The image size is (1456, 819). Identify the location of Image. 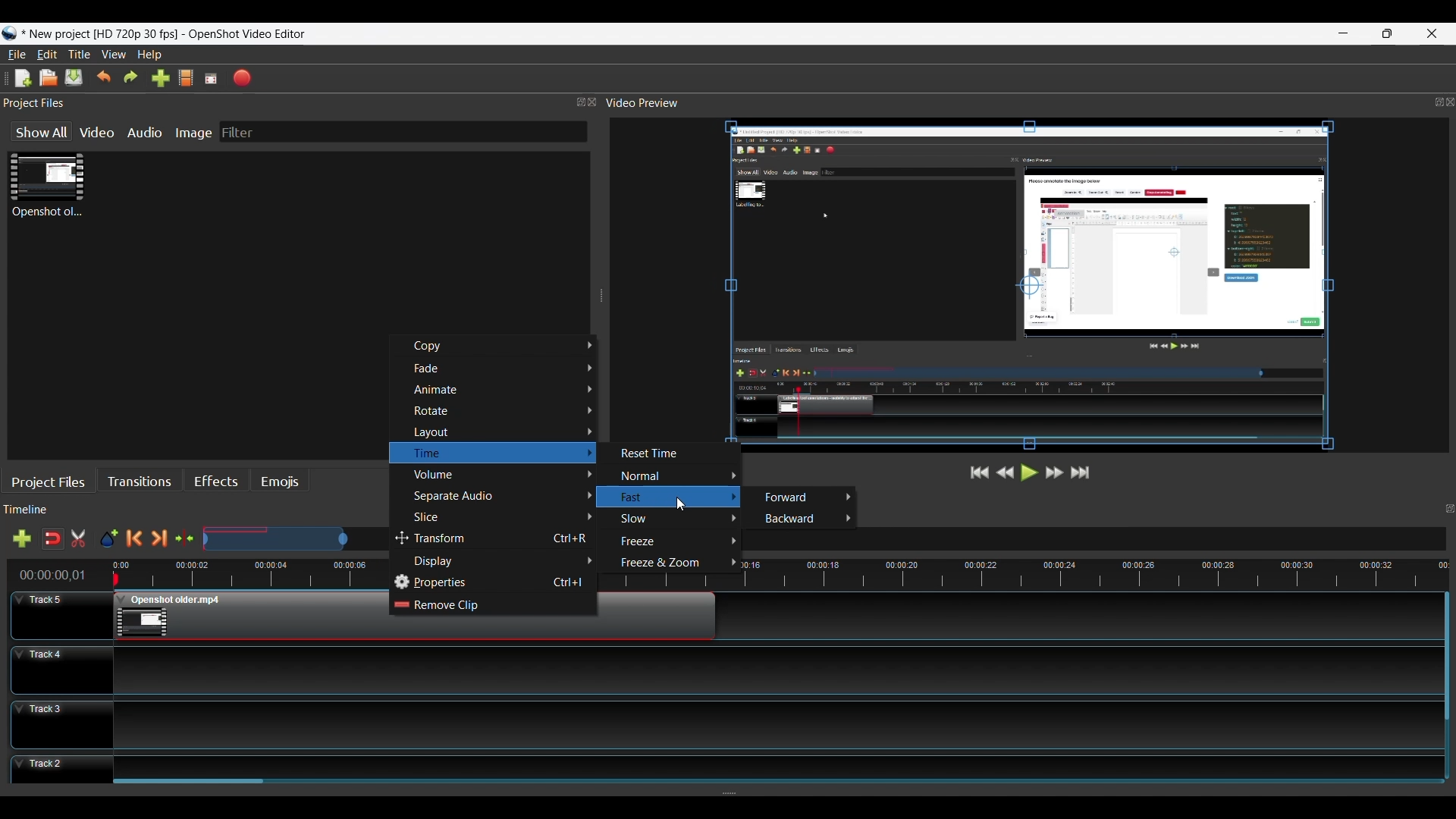
(193, 133).